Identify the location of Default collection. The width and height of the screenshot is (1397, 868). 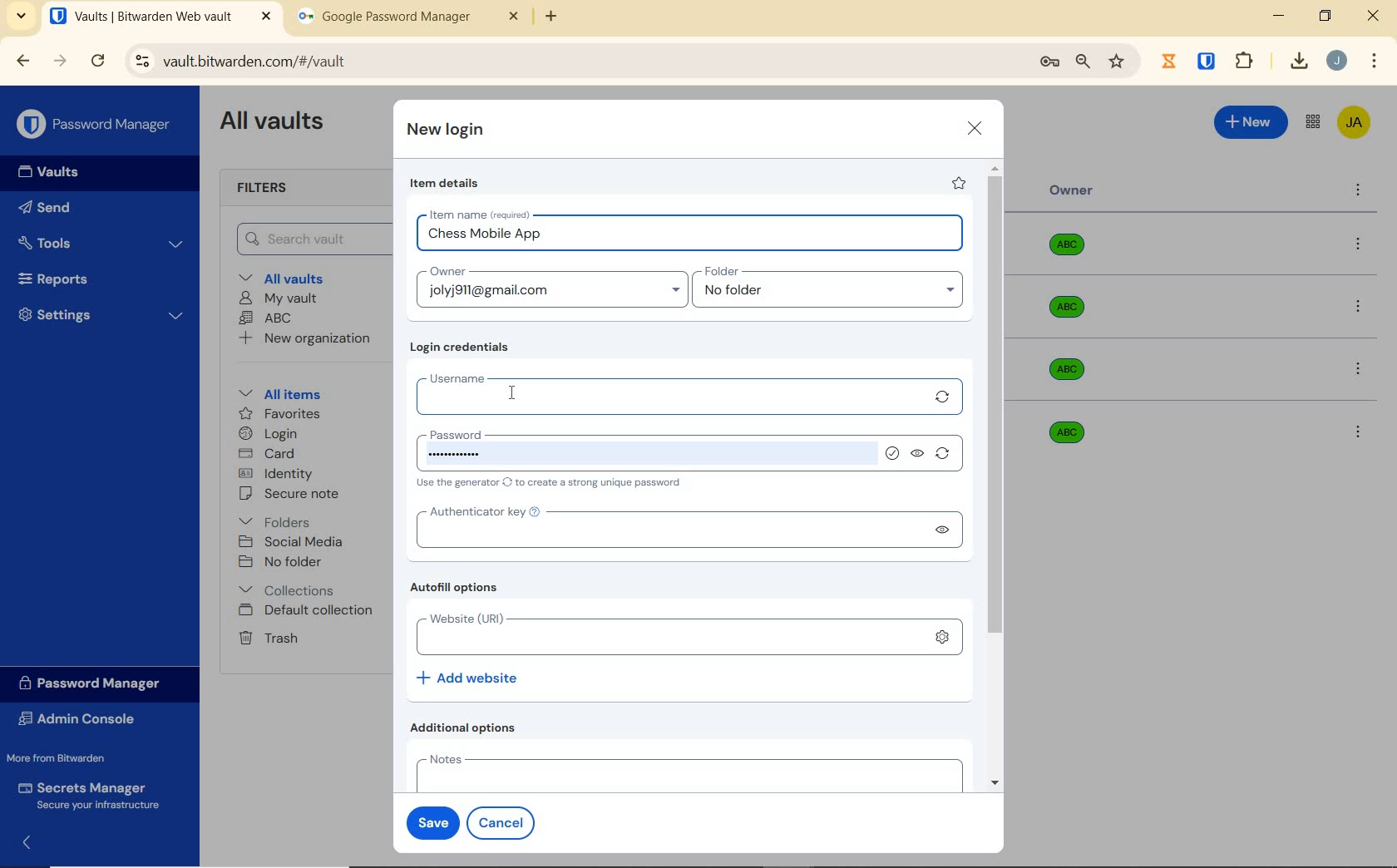
(309, 611).